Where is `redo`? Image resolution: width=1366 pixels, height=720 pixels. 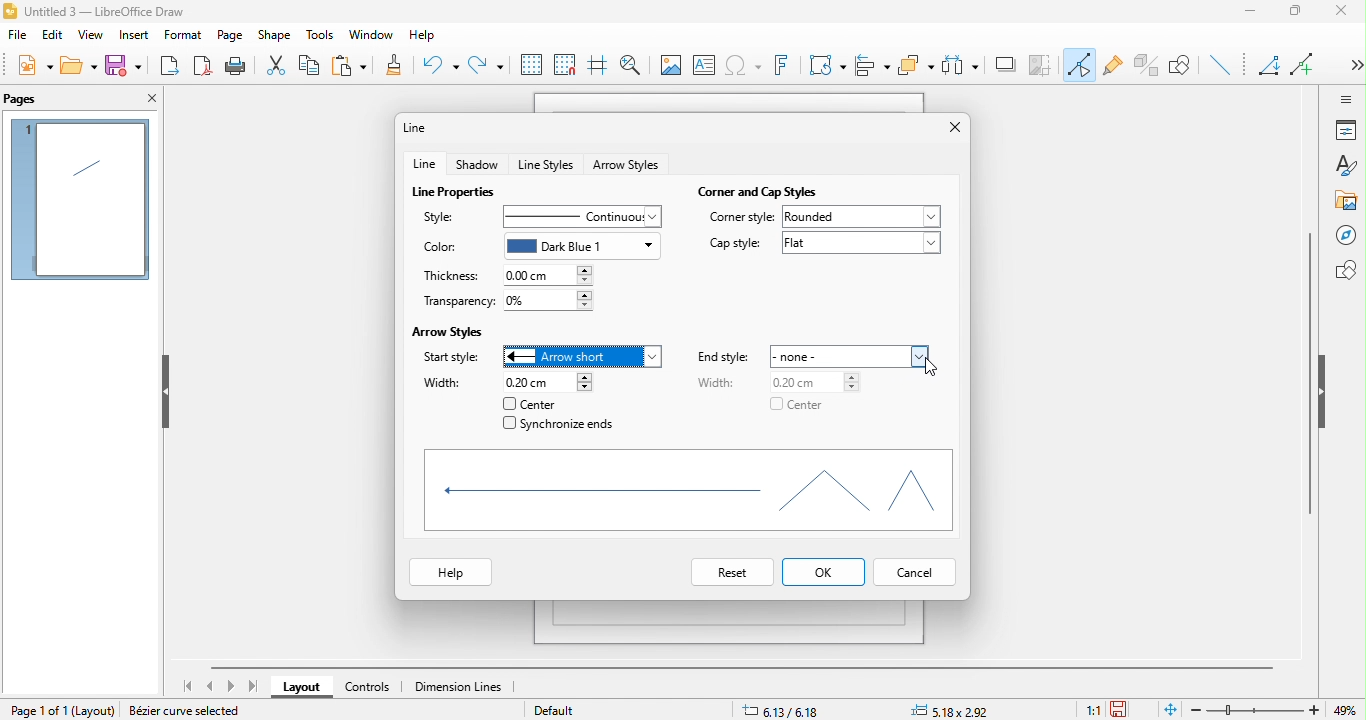
redo is located at coordinates (486, 61).